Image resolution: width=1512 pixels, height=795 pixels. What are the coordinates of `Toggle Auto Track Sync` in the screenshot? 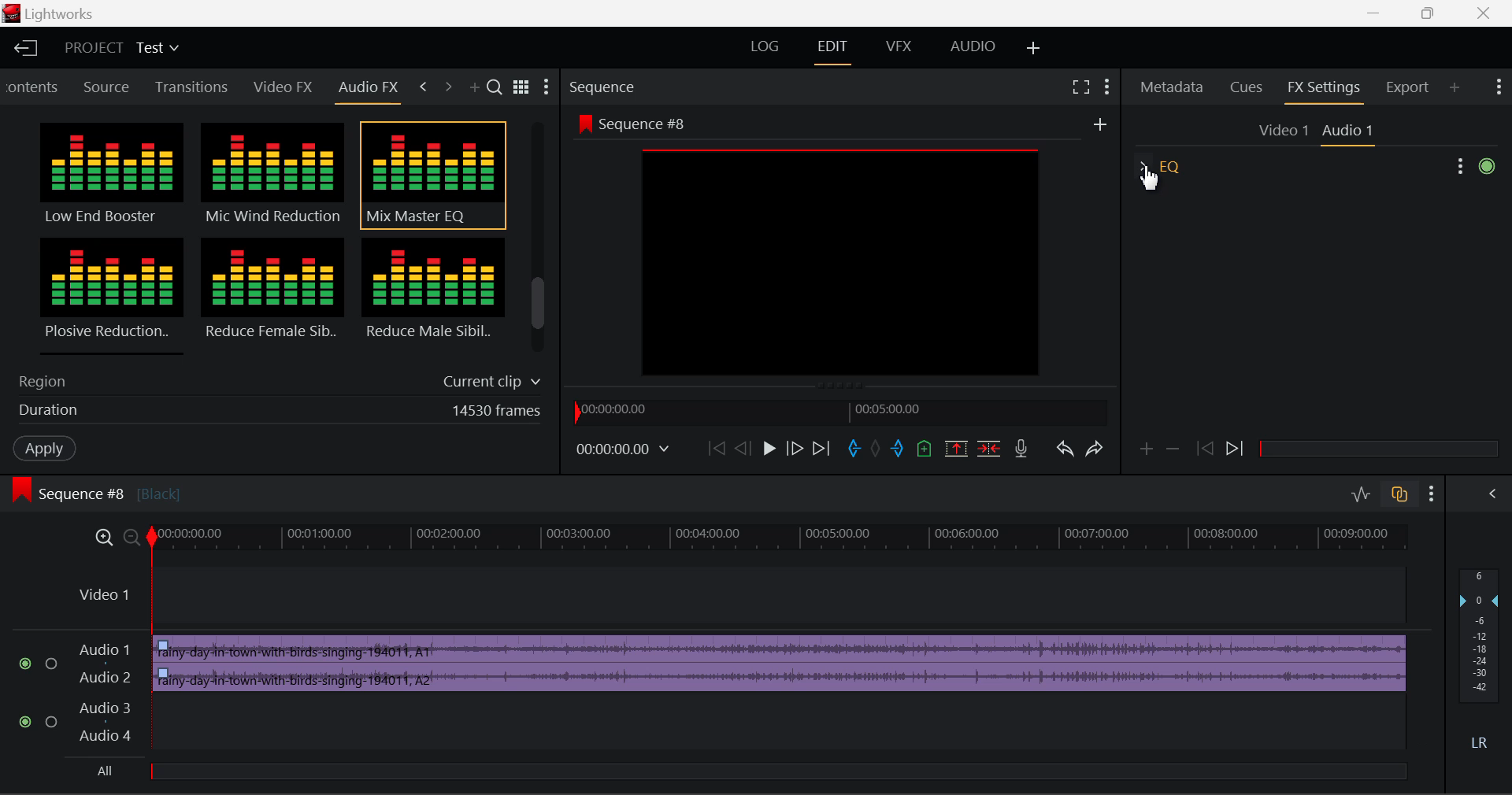 It's located at (1399, 495).